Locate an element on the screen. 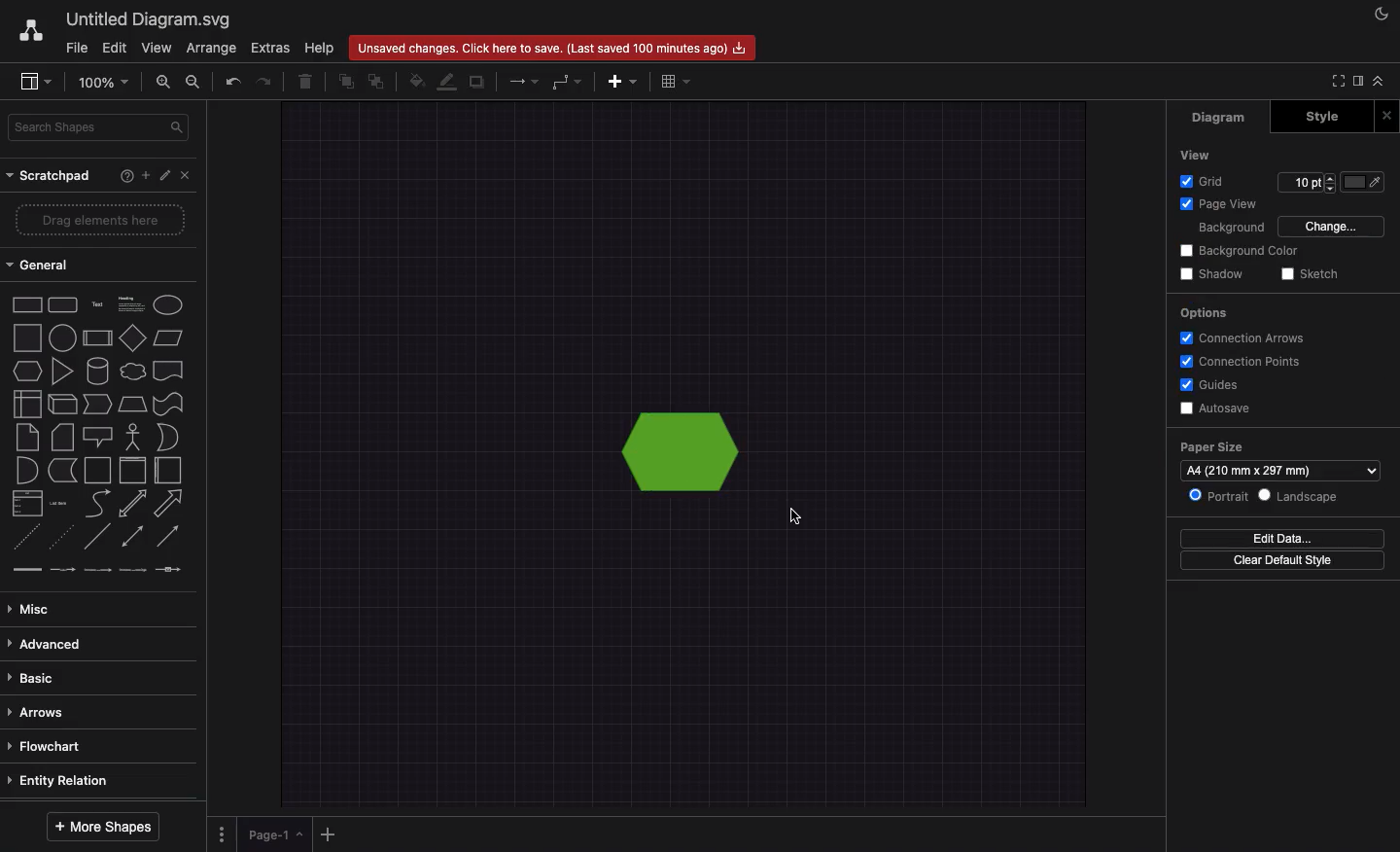  Edit is located at coordinates (116, 48).